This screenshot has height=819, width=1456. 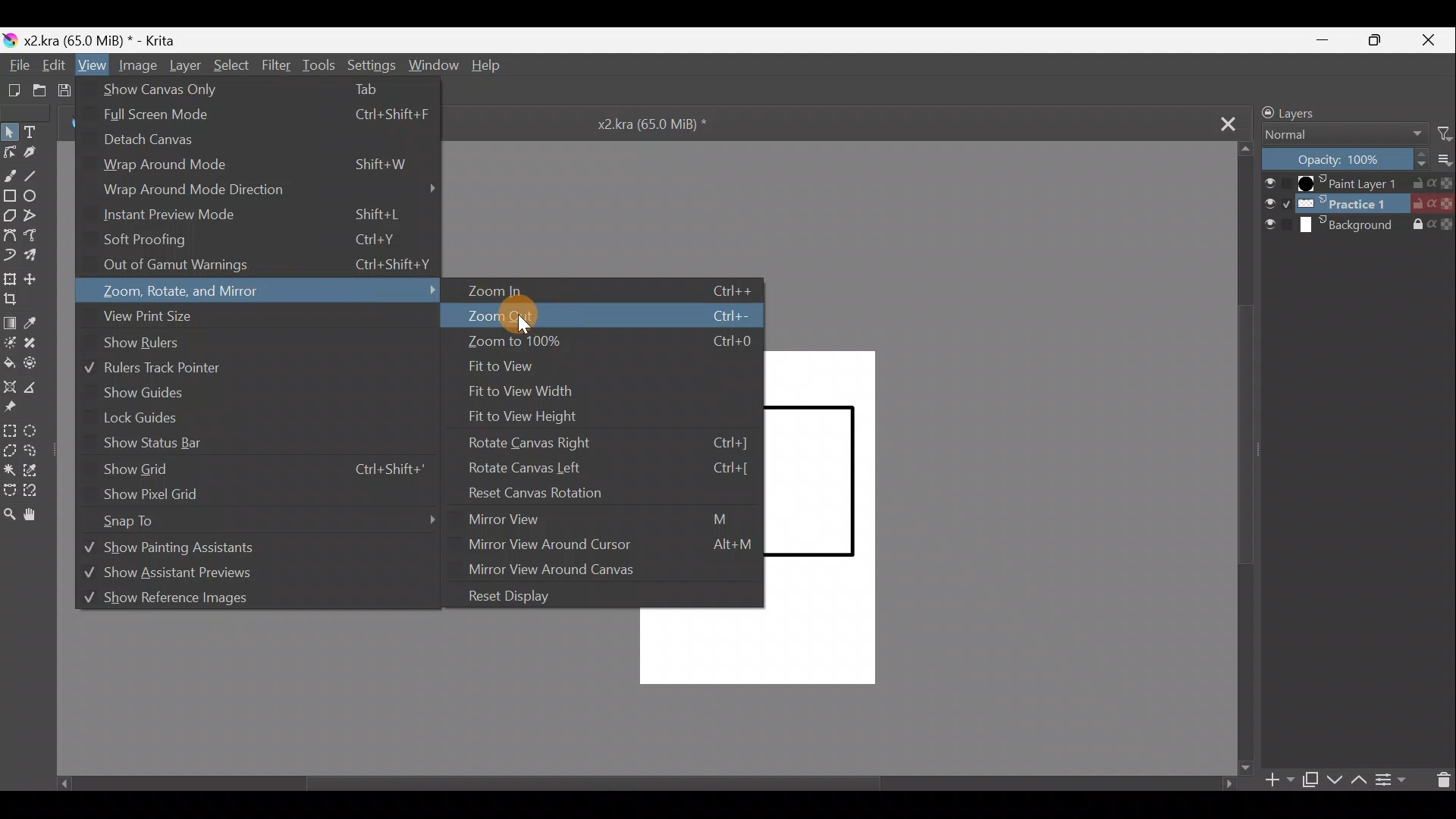 I want to click on Show status bar, so click(x=151, y=444).